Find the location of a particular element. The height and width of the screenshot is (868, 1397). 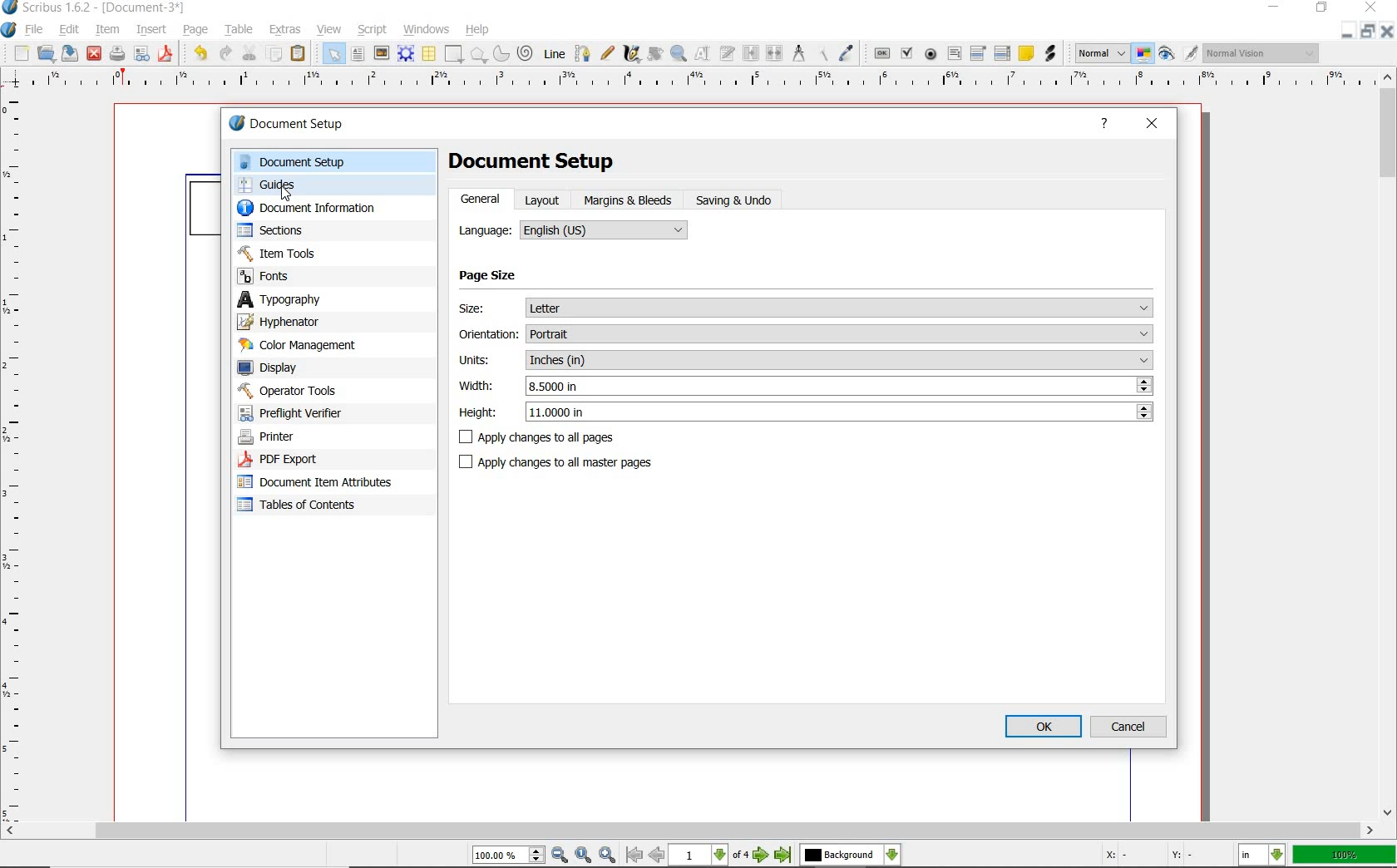

extras is located at coordinates (287, 28).